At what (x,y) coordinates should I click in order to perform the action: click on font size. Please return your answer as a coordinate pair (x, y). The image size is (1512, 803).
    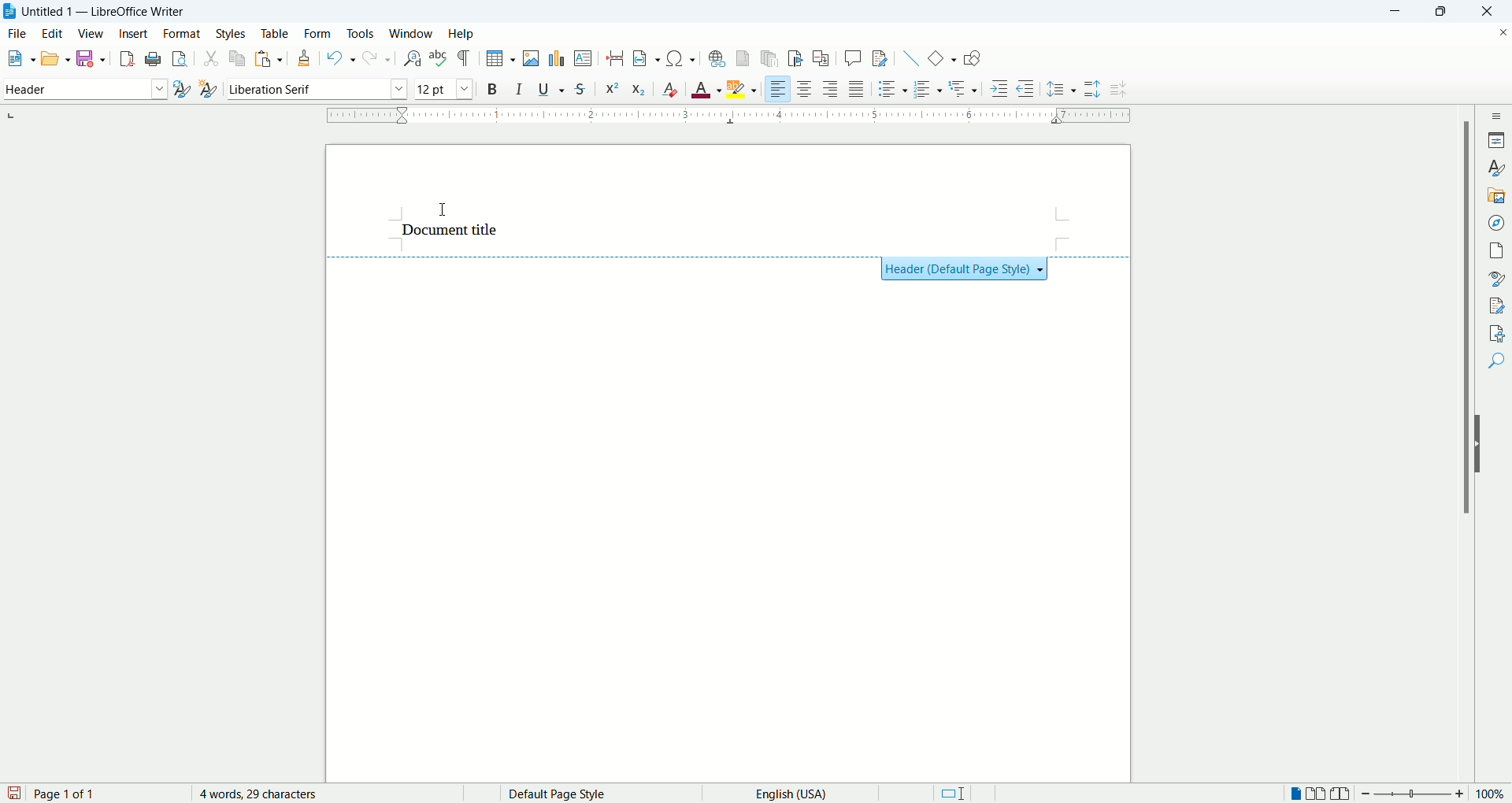
    Looking at the image, I should click on (446, 90).